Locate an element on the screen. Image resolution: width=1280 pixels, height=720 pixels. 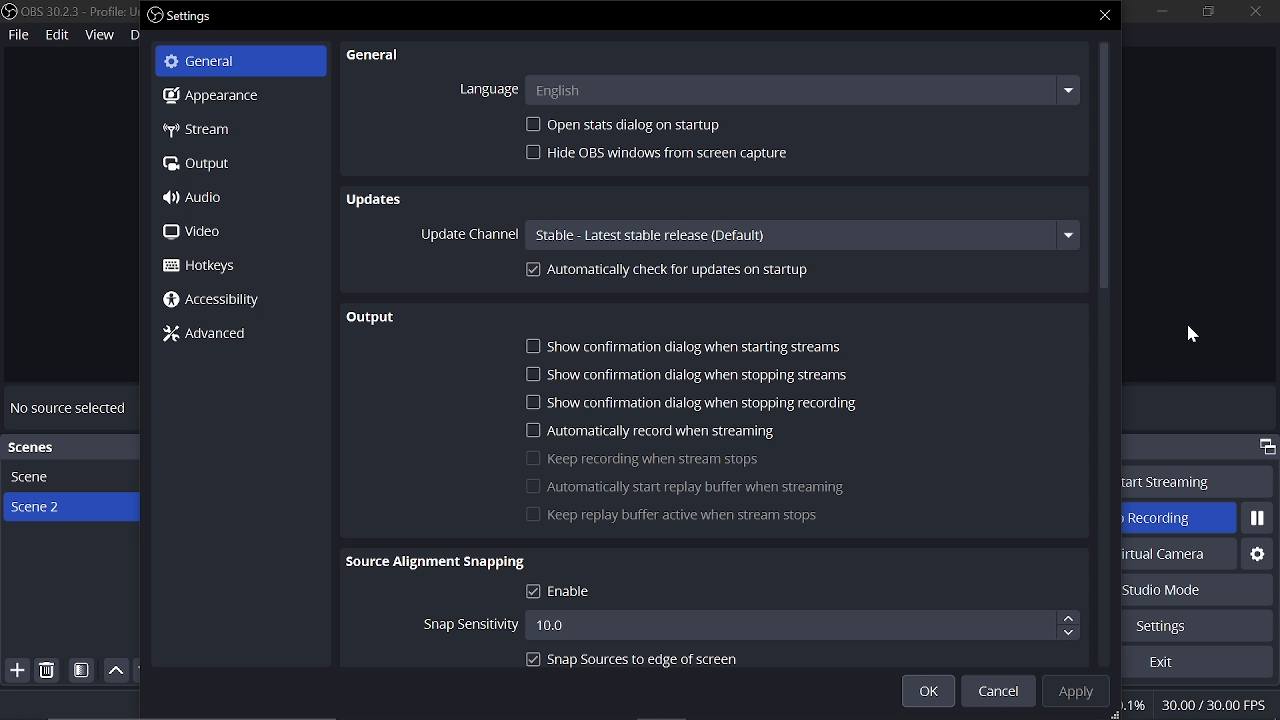
open stats dialog is located at coordinates (627, 124).